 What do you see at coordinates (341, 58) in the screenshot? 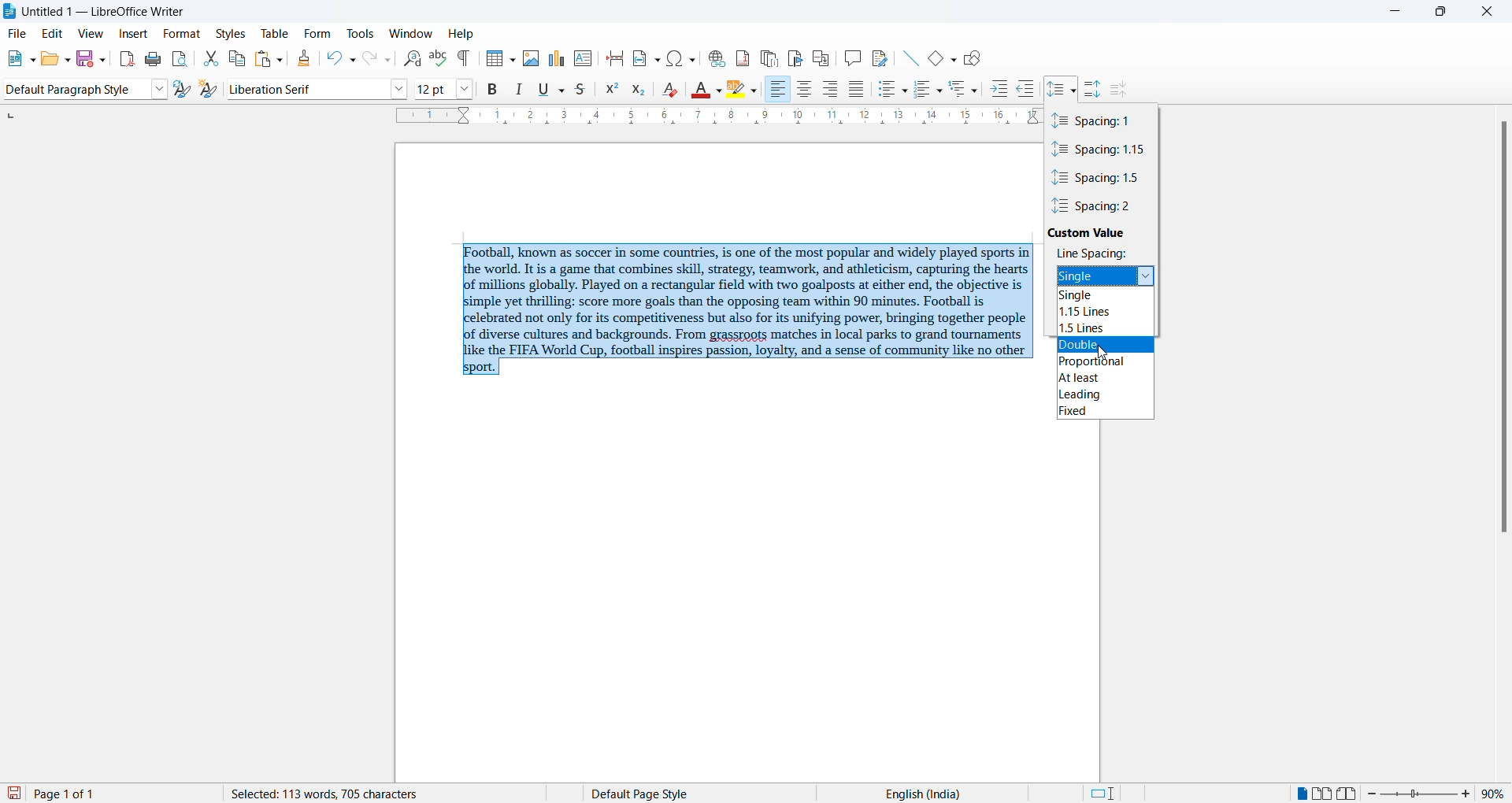
I see `undo` at bounding box center [341, 58].